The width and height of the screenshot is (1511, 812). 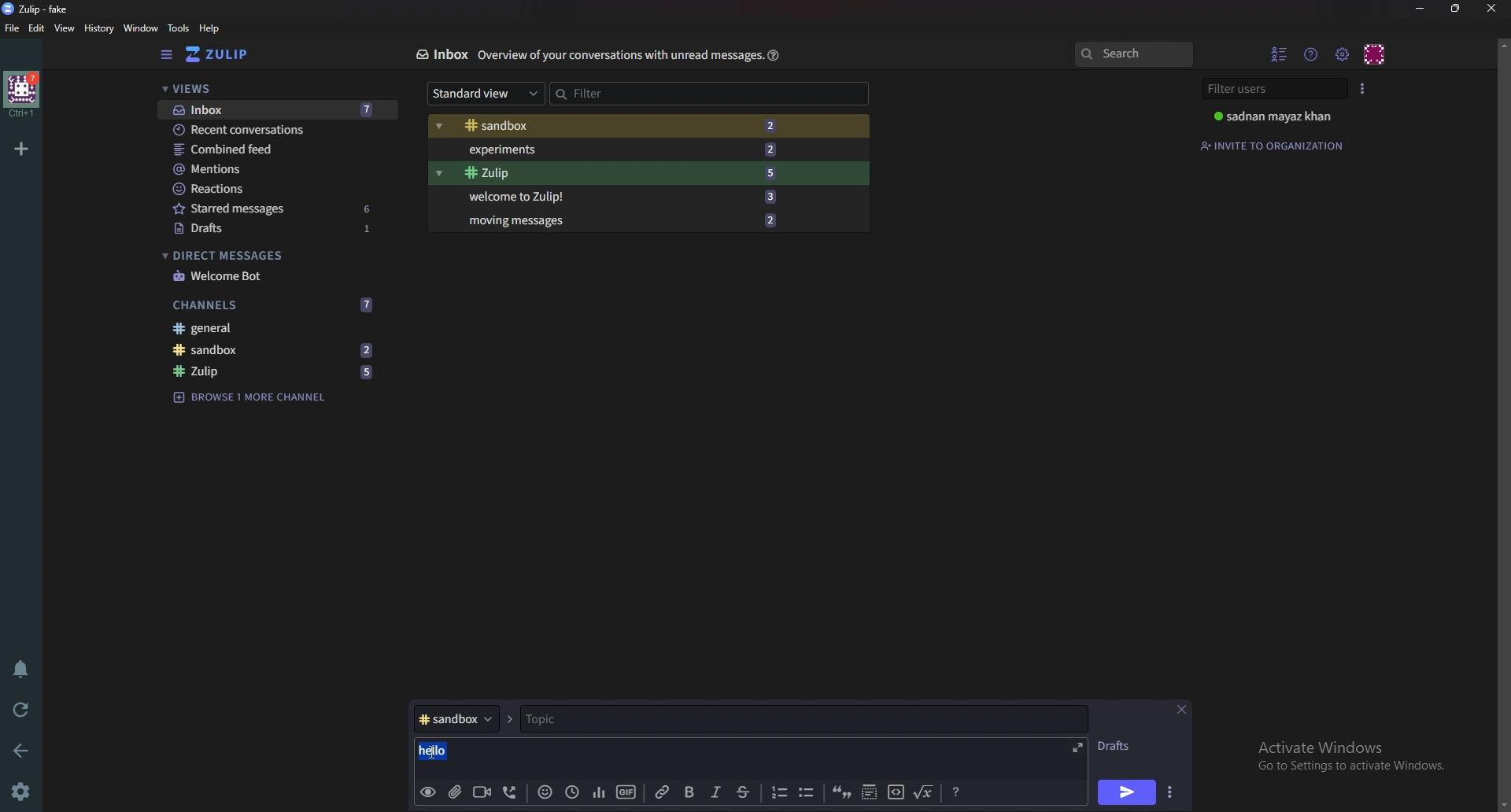 I want to click on User list style, so click(x=1365, y=88).